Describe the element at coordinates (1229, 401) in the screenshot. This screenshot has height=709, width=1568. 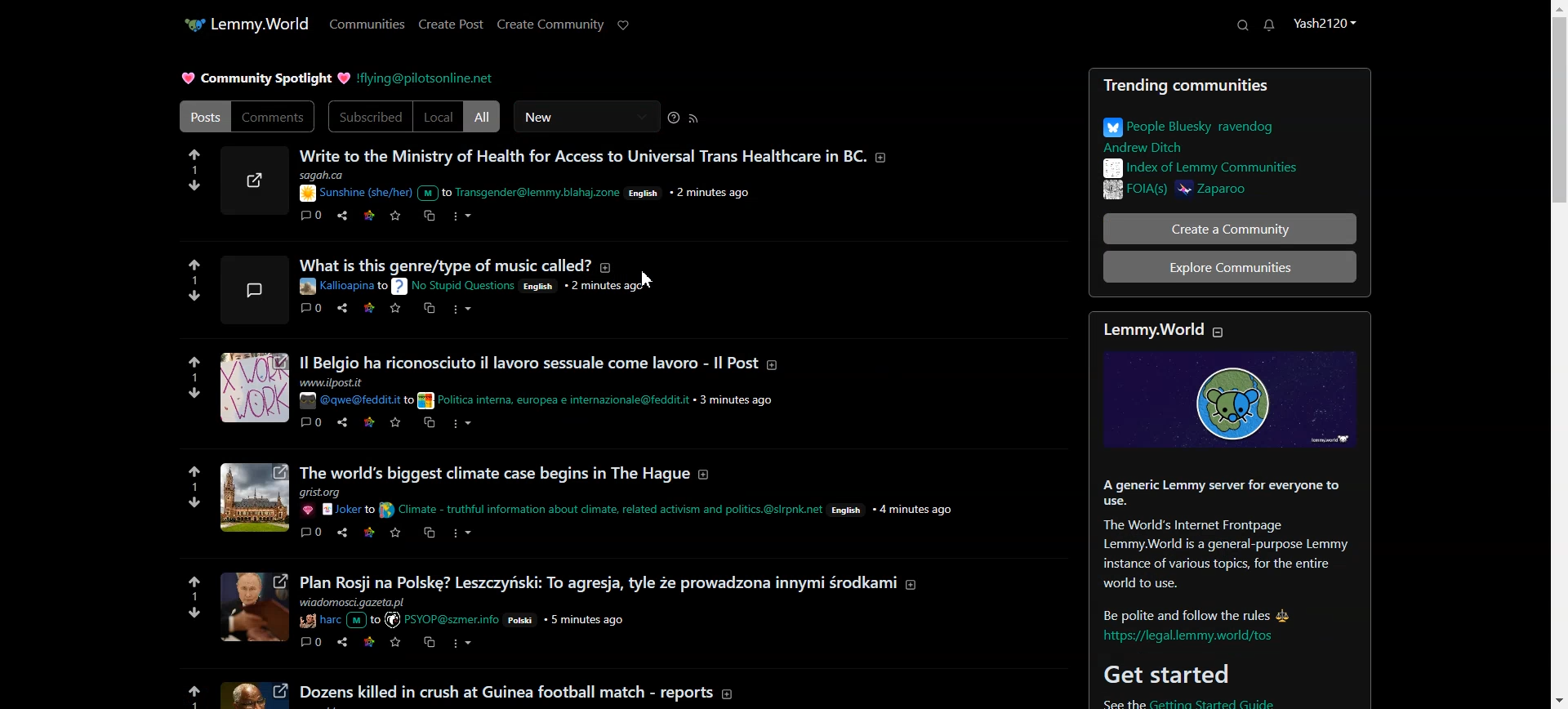
I see `Image` at that location.